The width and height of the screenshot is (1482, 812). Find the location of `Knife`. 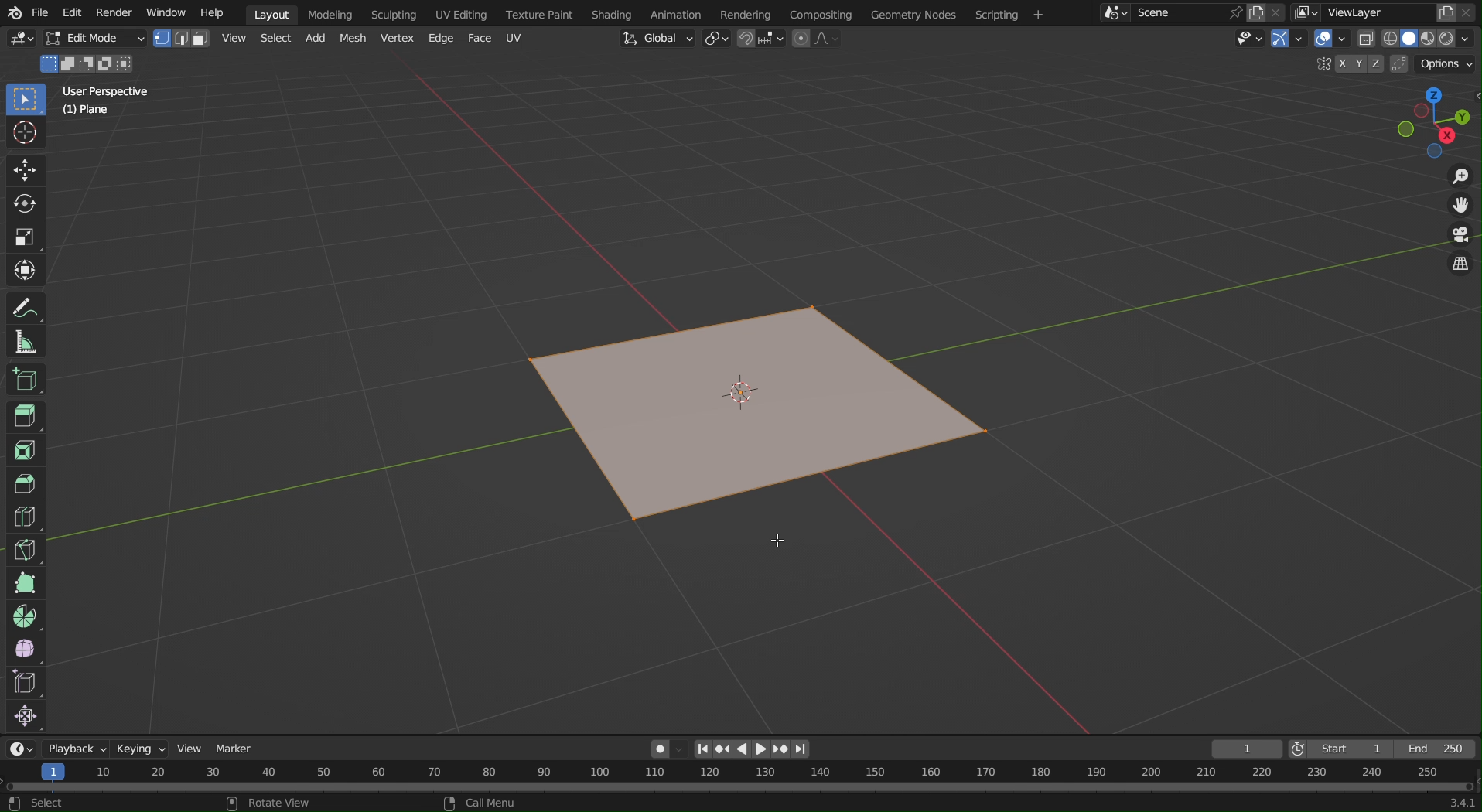

Knife is located at coordinates (25, 549).